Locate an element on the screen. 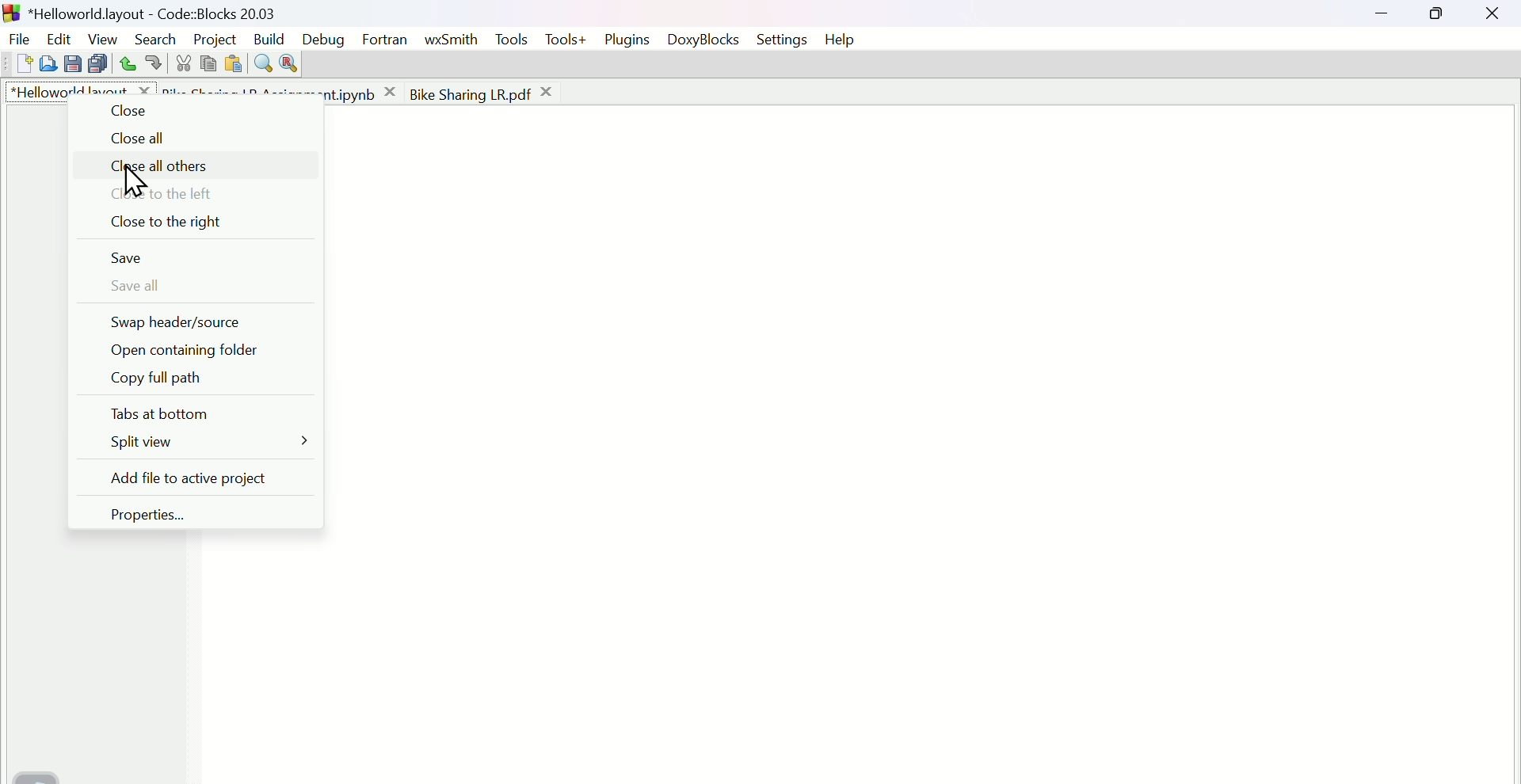 This screenshot has width=1521, height=784. file is located at coordinates (18, 37).